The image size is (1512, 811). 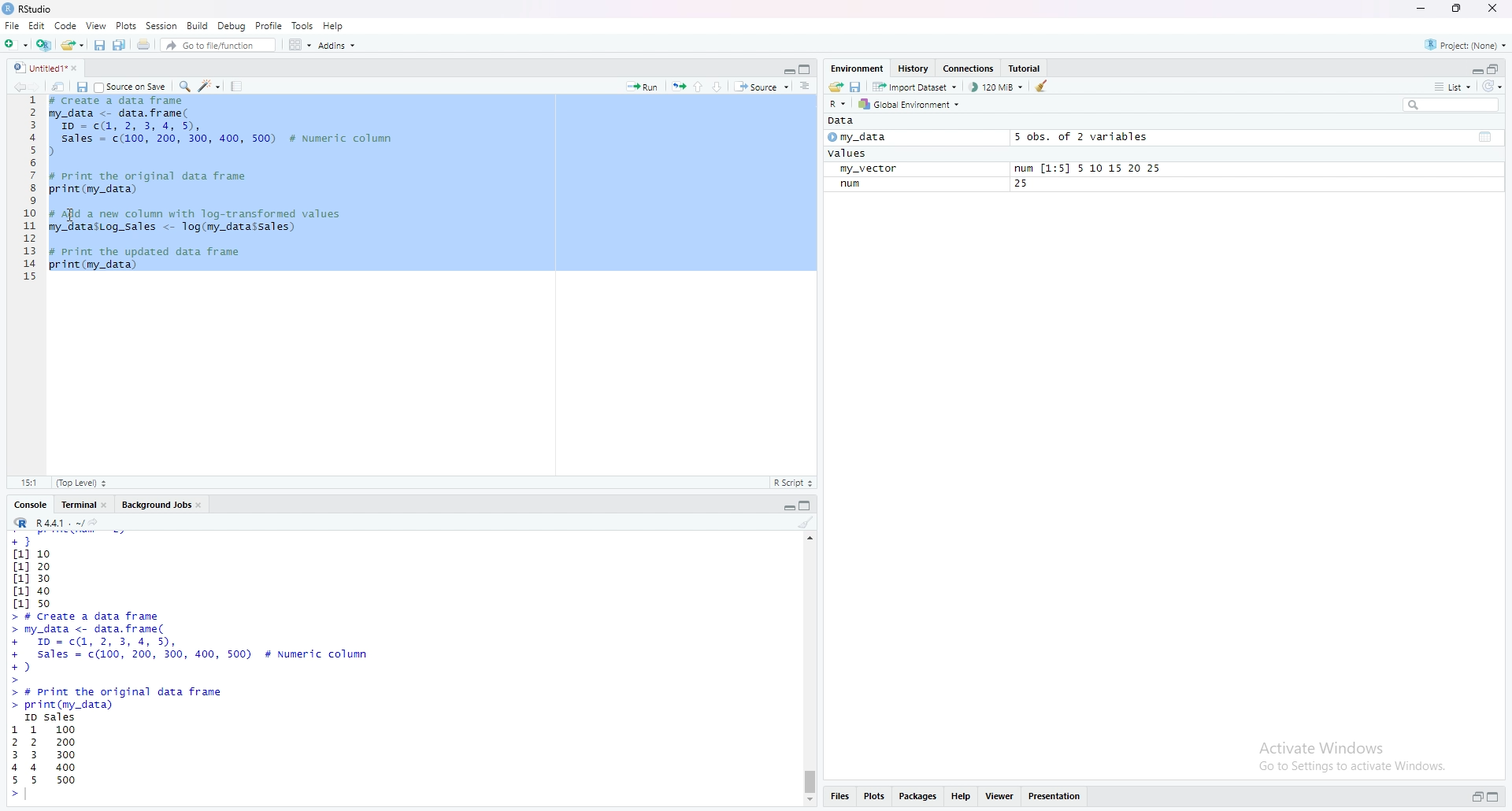 What do you see at coordinates (38, 571) in the screenshot?
I see `numerical data` at bounding box center [38, 571].